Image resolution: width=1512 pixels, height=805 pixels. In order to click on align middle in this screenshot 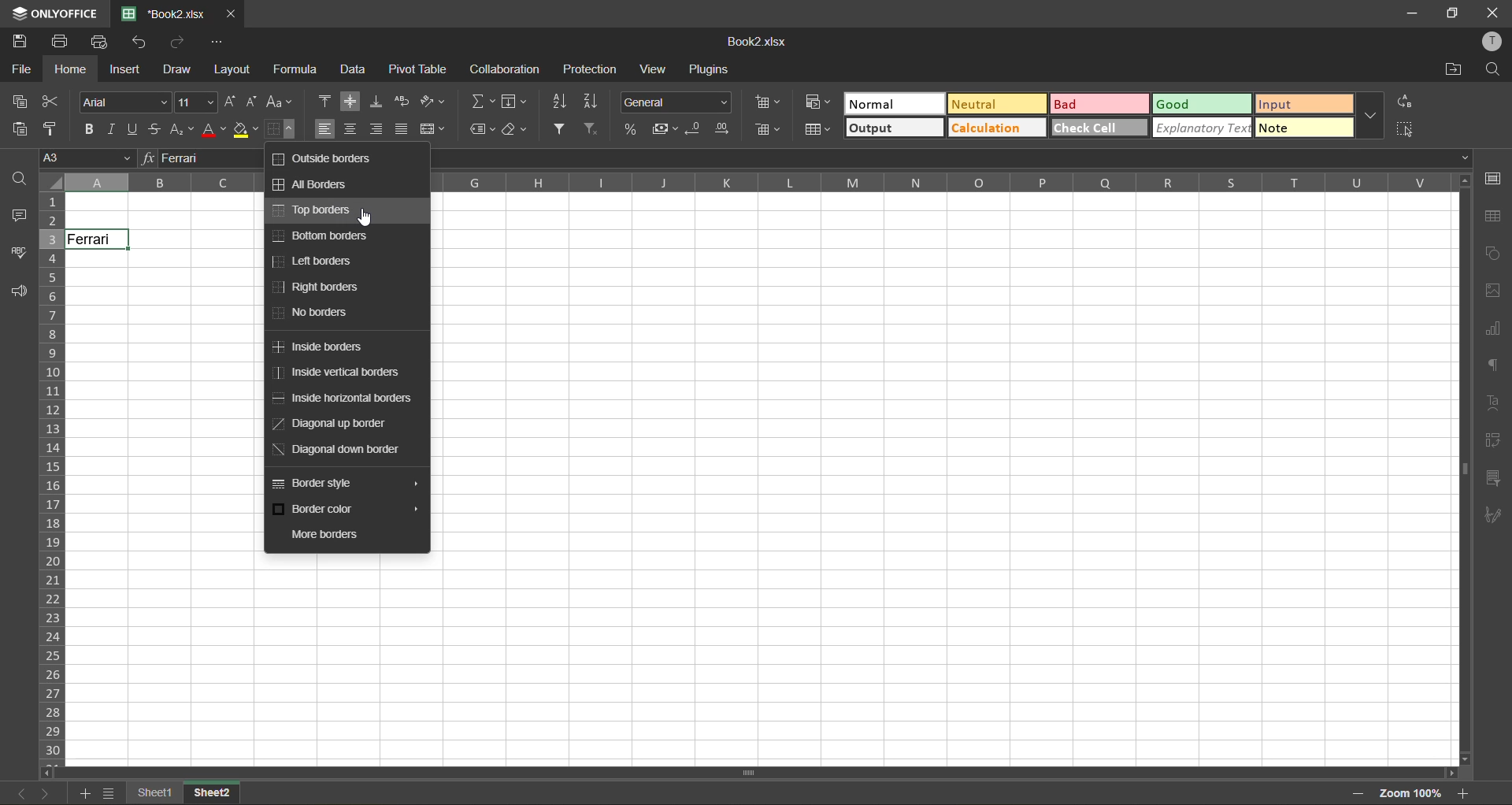, I will do `click(351, 101)`.